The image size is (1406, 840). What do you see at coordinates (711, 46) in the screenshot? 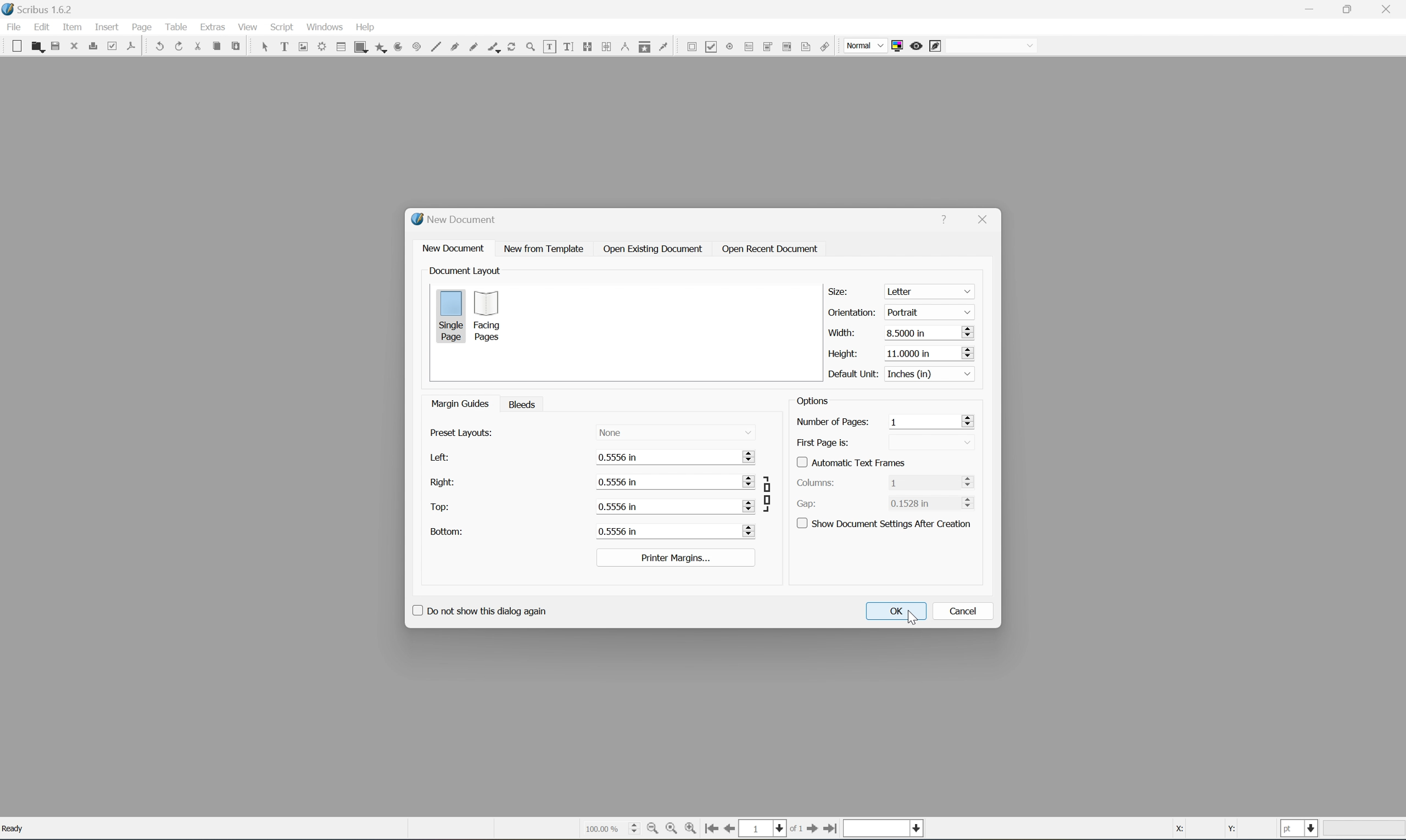
I see `pdf checkbox` at bounding box center [711, 46].